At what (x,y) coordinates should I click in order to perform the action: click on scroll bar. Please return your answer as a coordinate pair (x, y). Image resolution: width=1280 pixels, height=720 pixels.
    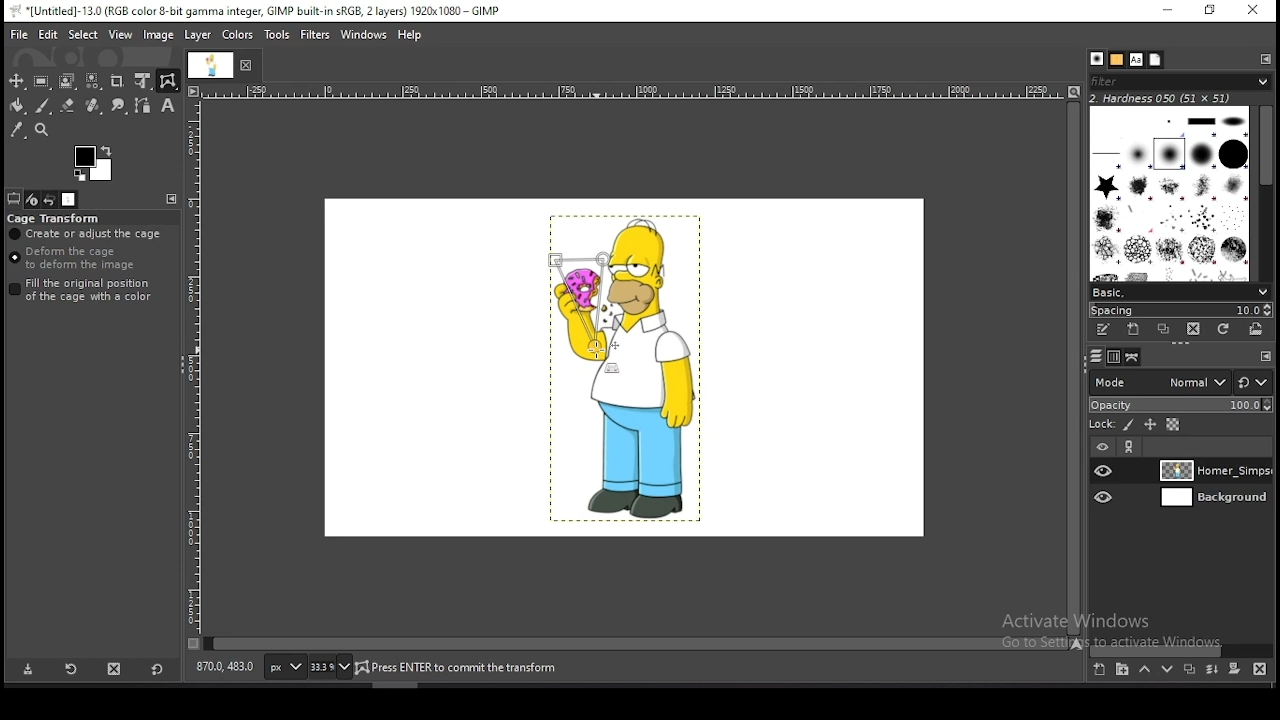
    Looking at the image, I should click on (1072, 367).